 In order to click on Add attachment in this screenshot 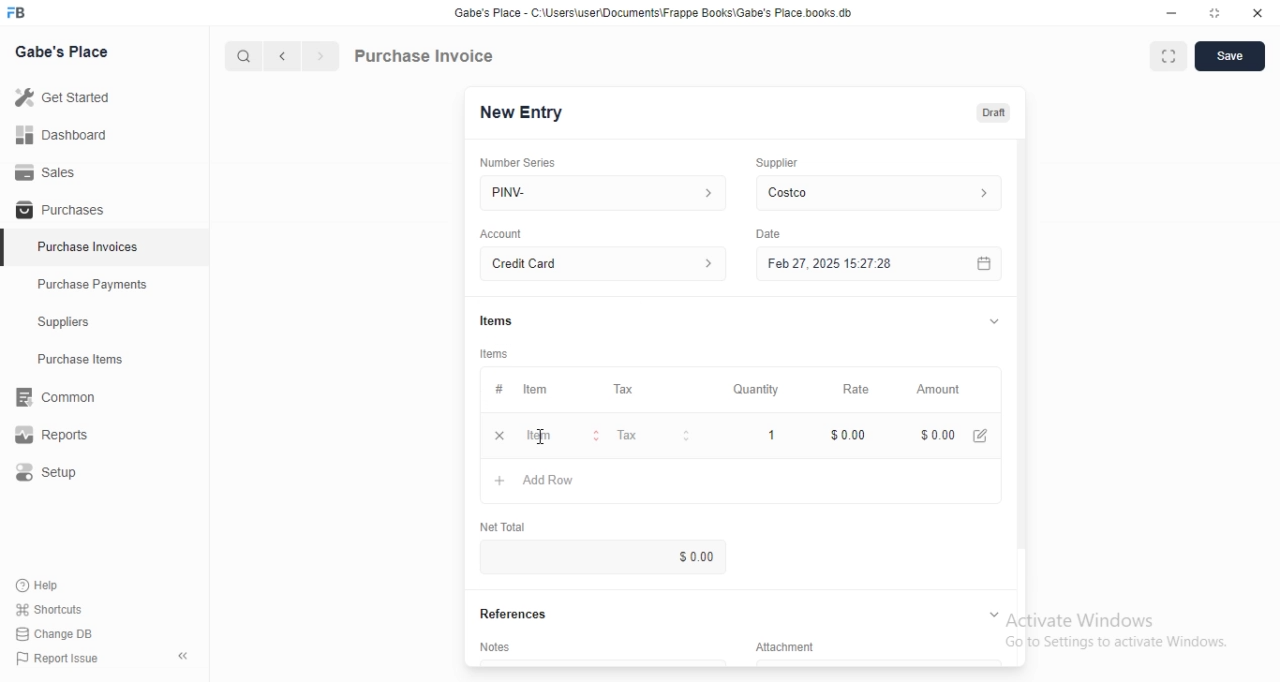, I will do `click(879, 662)`.